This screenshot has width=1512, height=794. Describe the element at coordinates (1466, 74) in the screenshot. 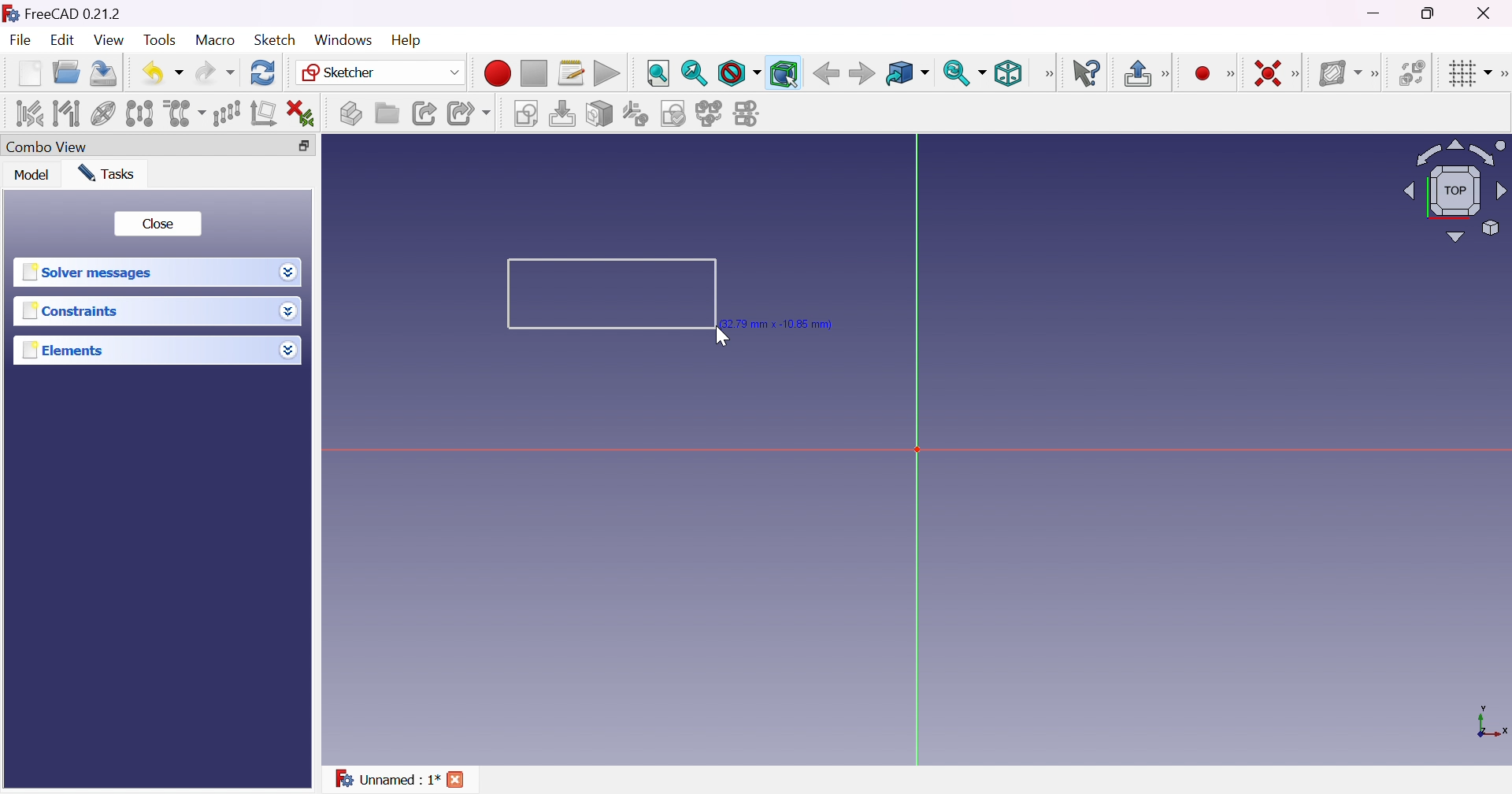

I see `Toggle grid` at that location.